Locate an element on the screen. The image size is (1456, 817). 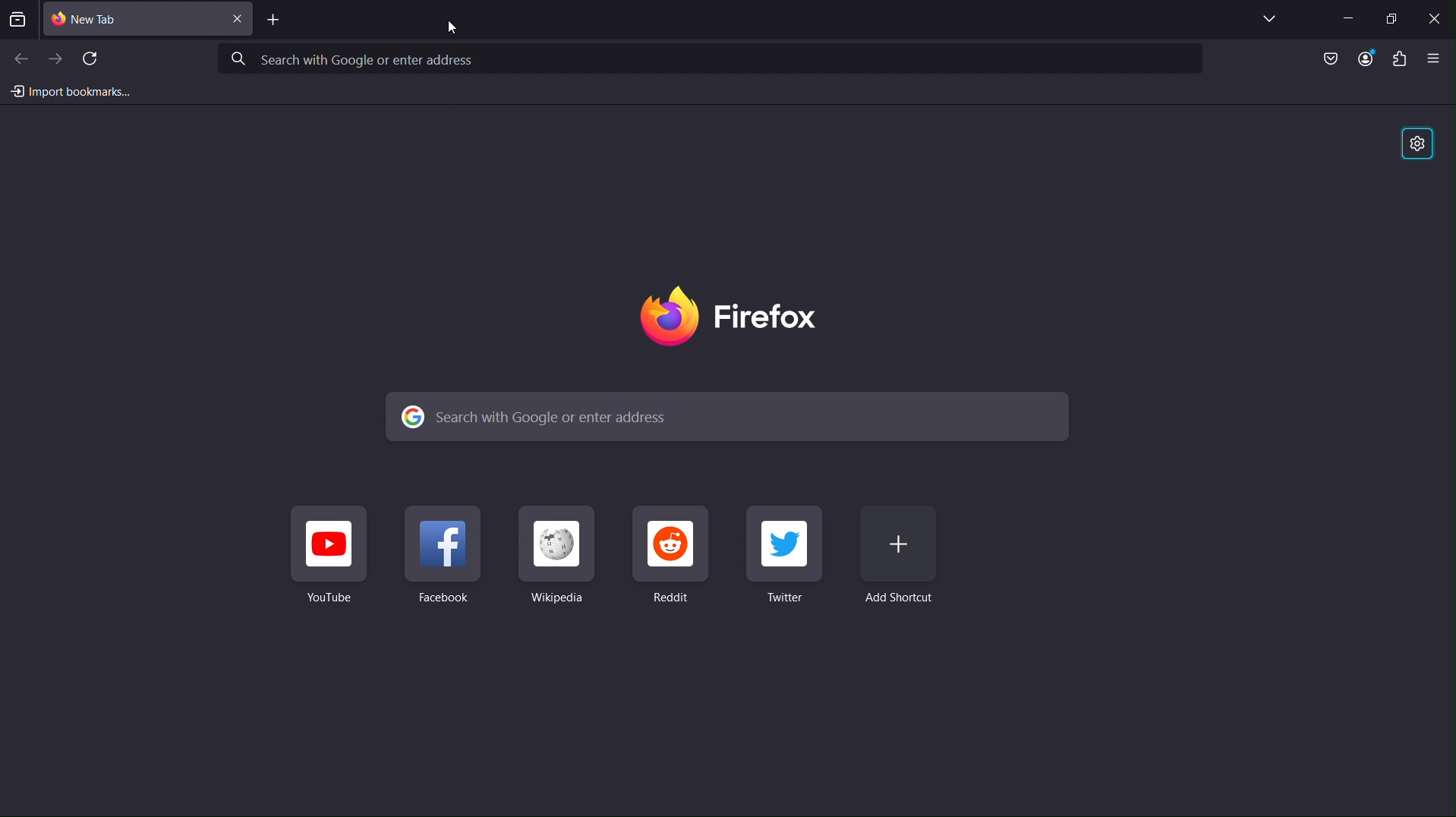
search with google or enter address is located at coordinates (716, 59).